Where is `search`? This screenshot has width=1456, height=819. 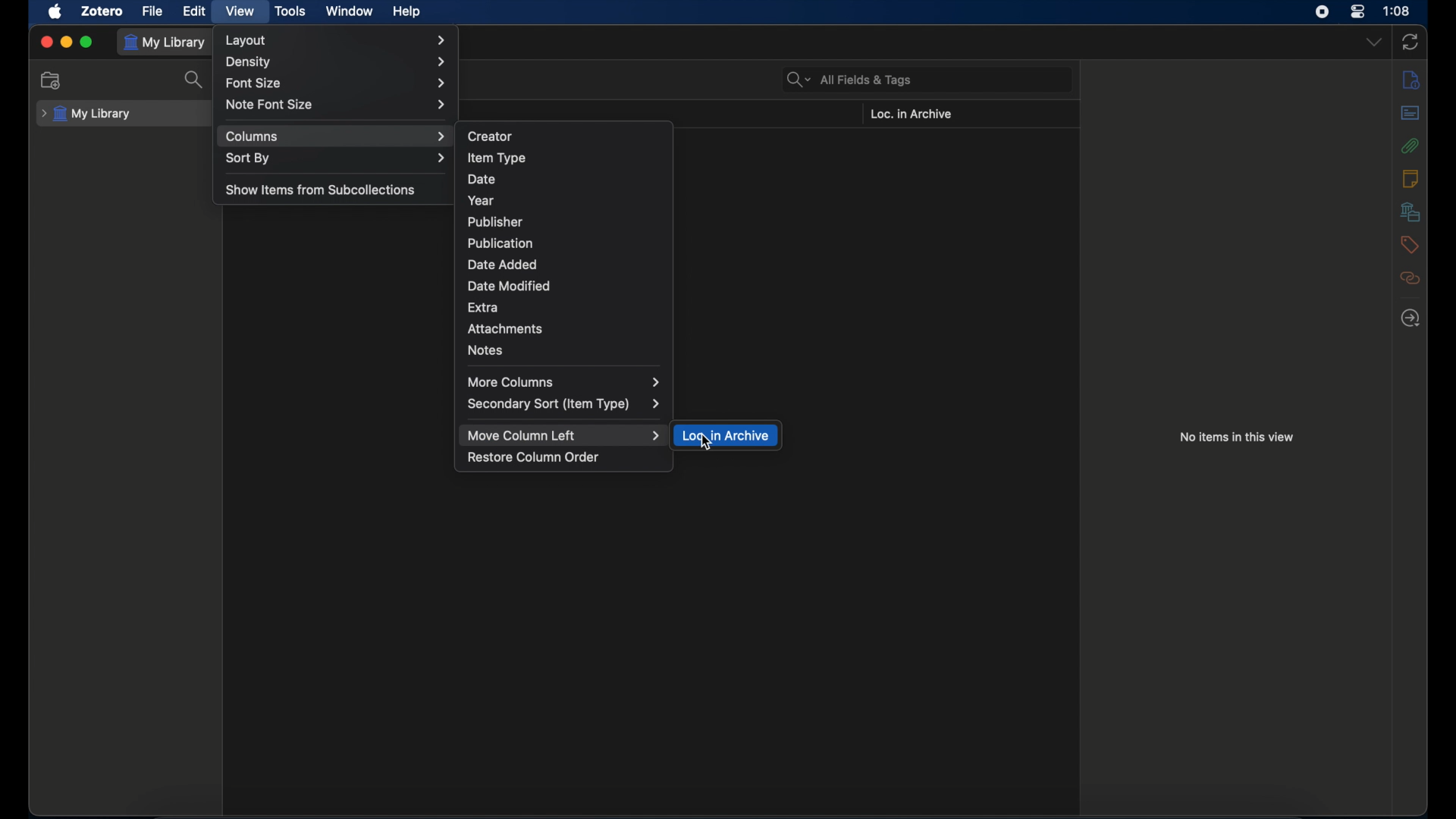
search is located at coordinates (195, 79).